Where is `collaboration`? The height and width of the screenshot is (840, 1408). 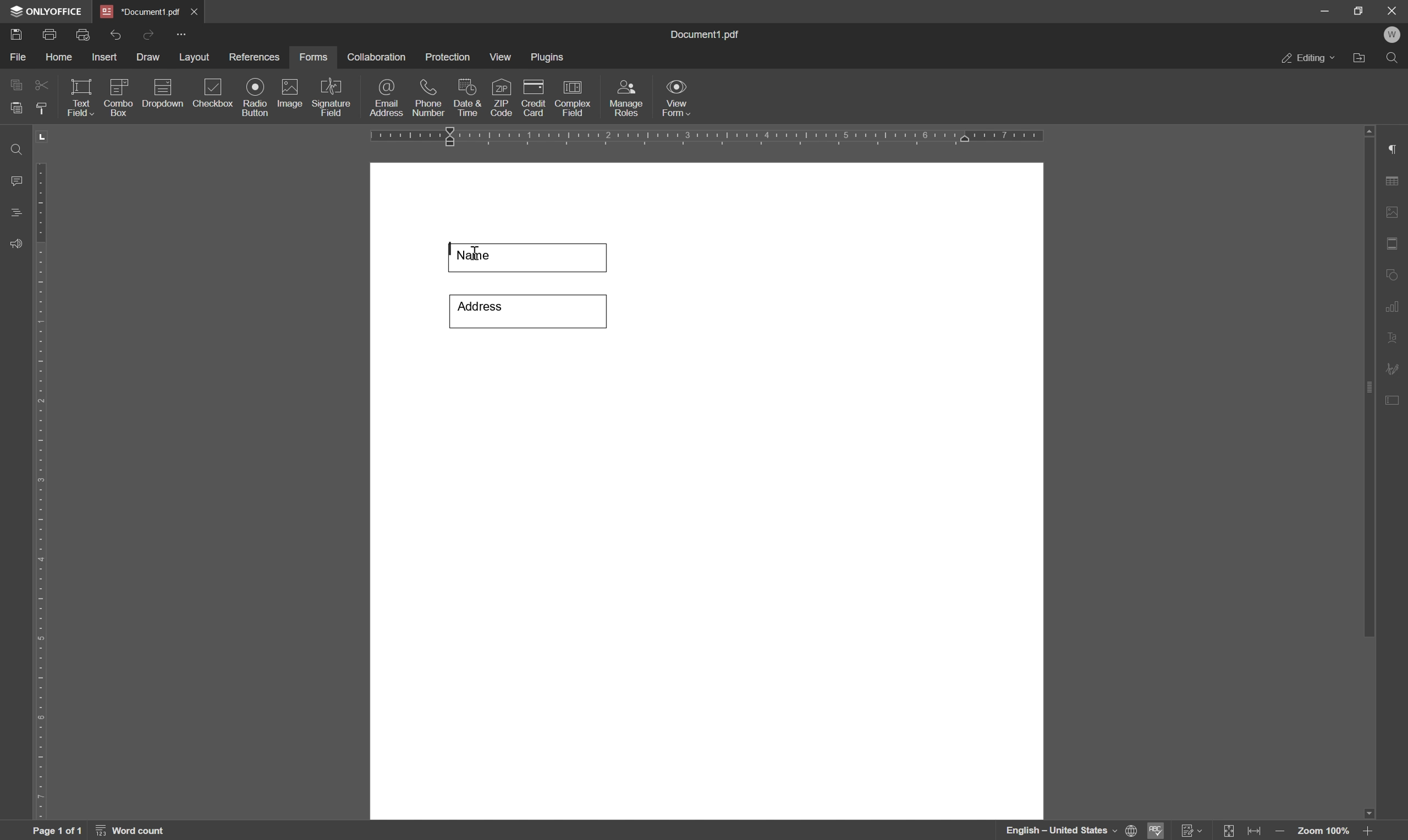 collaboration is located at coordinates (378, 58).